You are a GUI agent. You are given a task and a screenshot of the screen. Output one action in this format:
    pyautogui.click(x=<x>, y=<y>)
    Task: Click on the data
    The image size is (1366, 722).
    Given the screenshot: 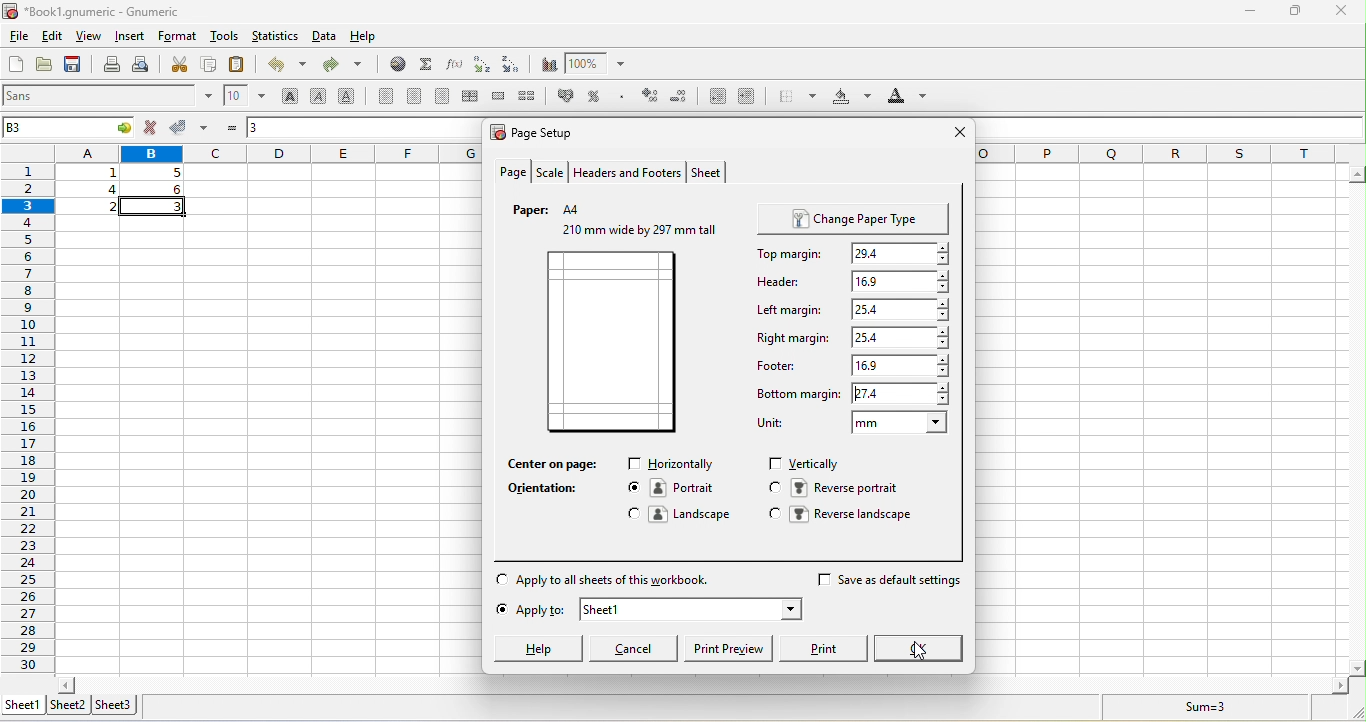 What is the action you would take?
    pyautogui.click(x=326, y=39)
    